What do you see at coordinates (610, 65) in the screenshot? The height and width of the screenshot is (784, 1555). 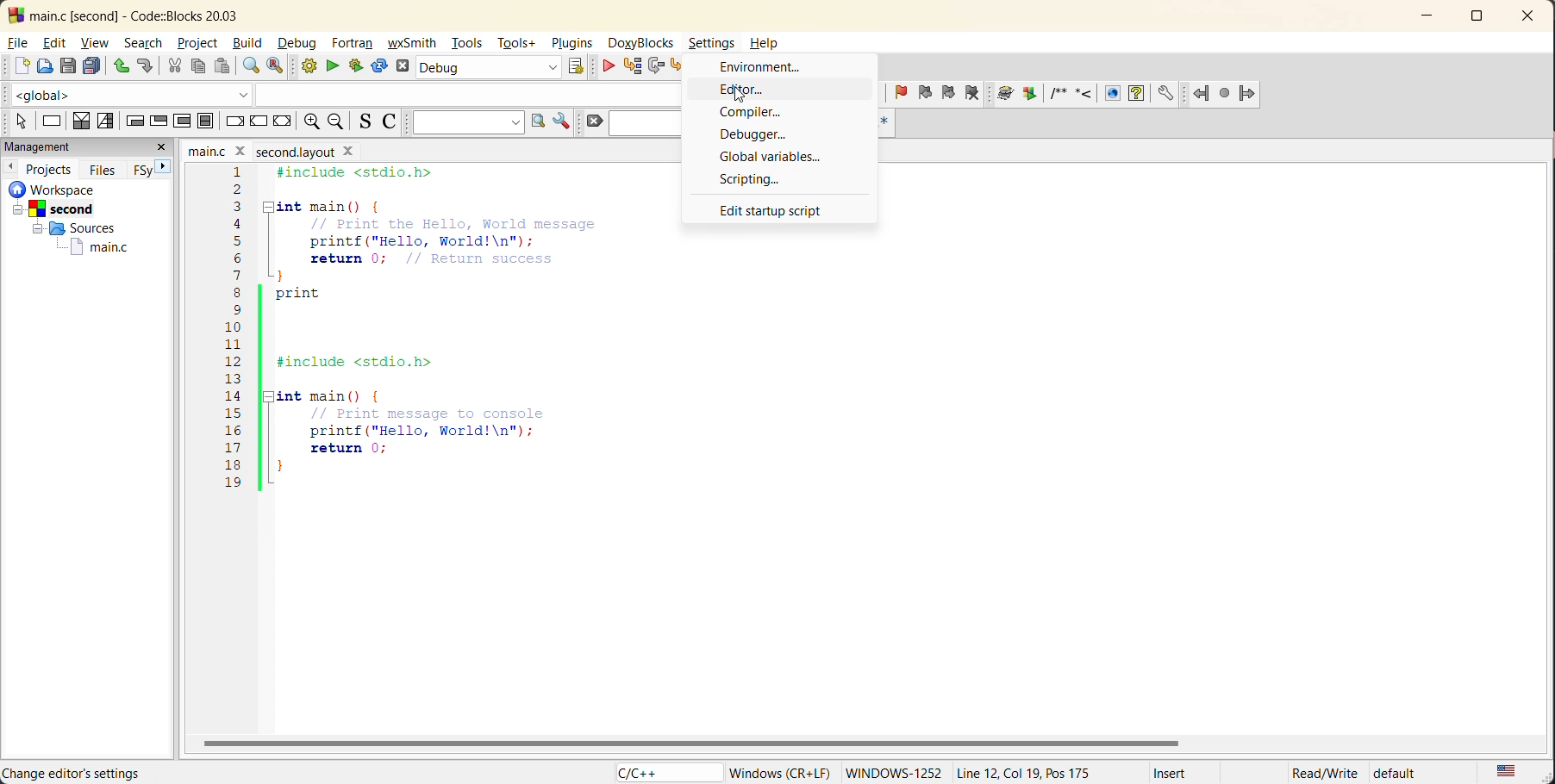 I see `debug` at bounding box center [610, 65].